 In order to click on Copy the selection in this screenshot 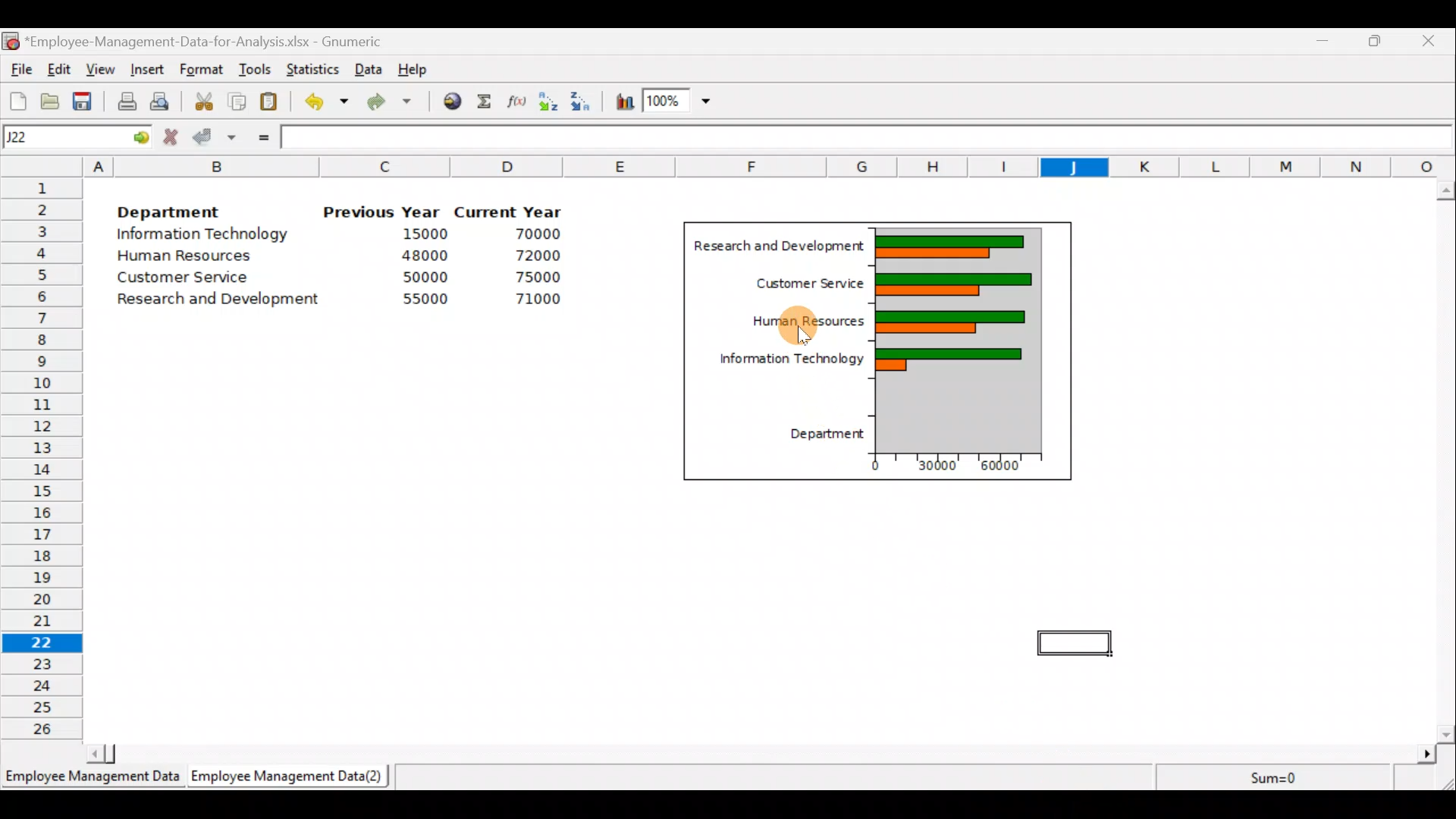, I will do `click(241, 102)`.